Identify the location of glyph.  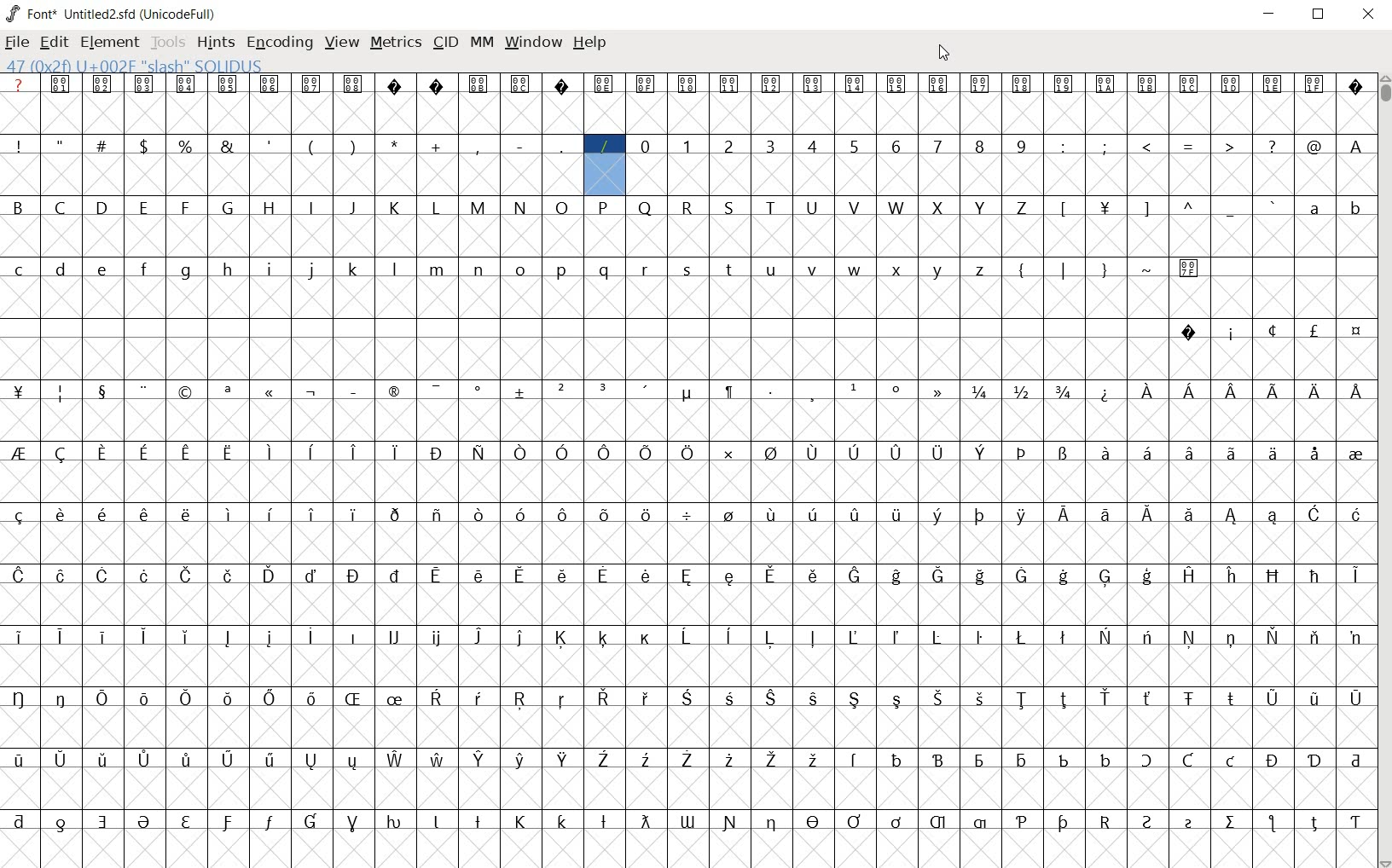
(227, 638).